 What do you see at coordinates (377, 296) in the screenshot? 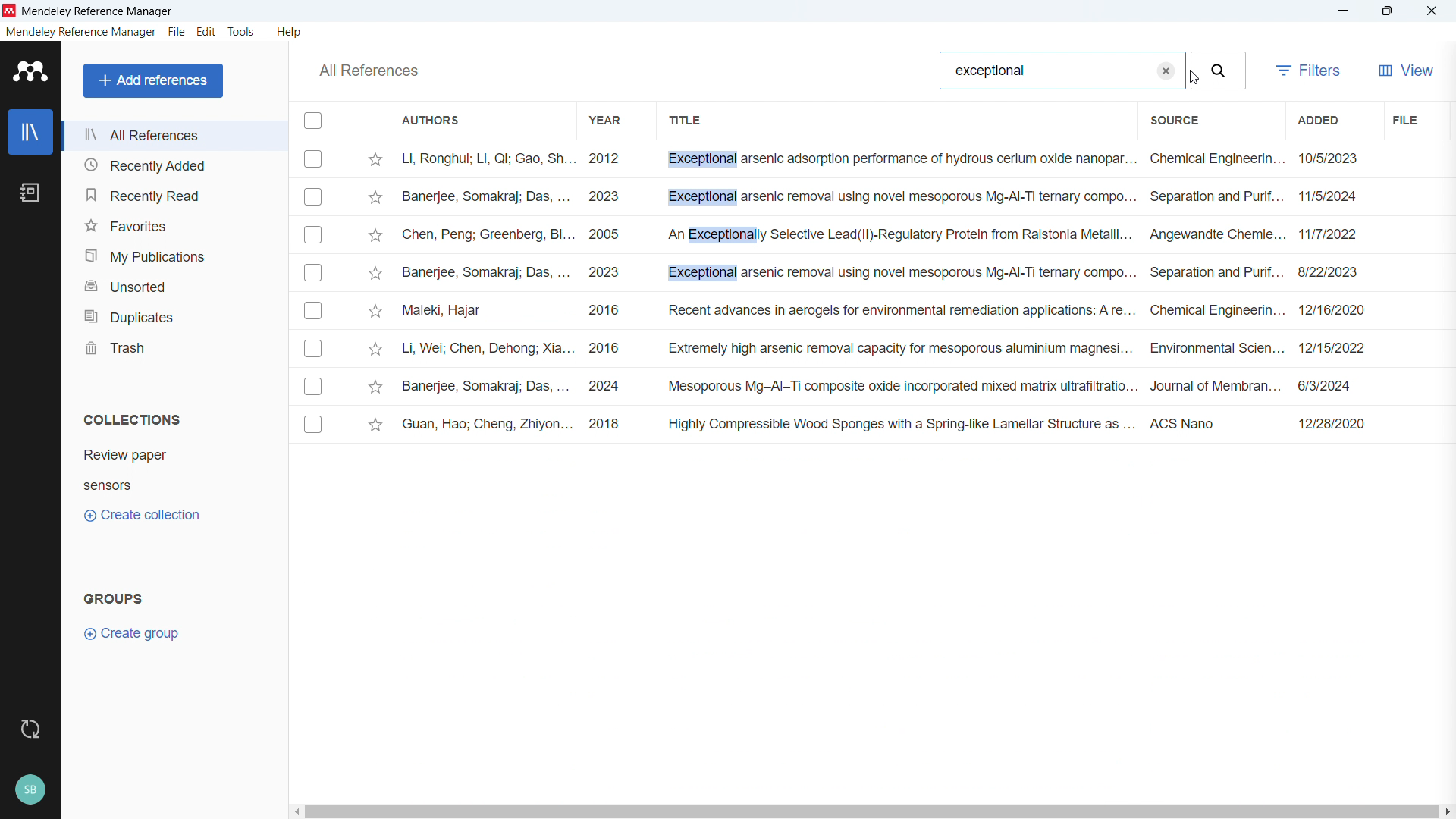
I see `Starmark individual entries ` at bounding box center [377, 296].